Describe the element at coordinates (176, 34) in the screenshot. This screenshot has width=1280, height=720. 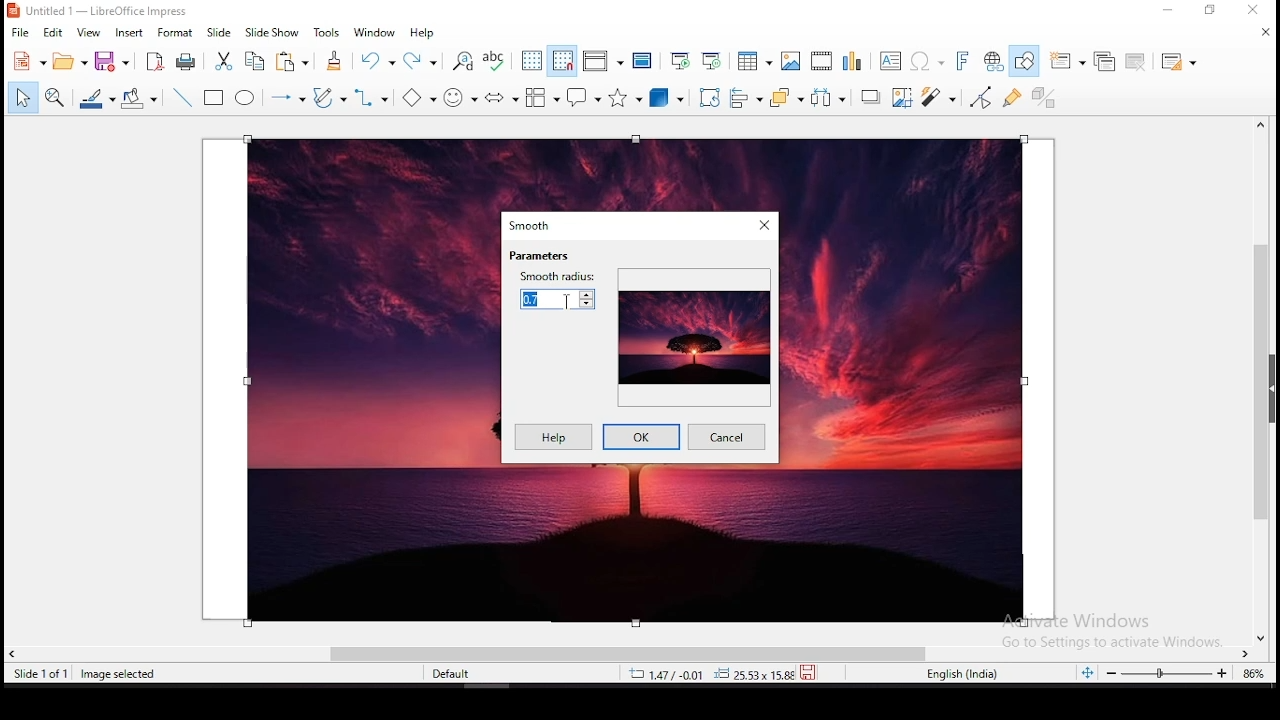
I see `format` at that location.